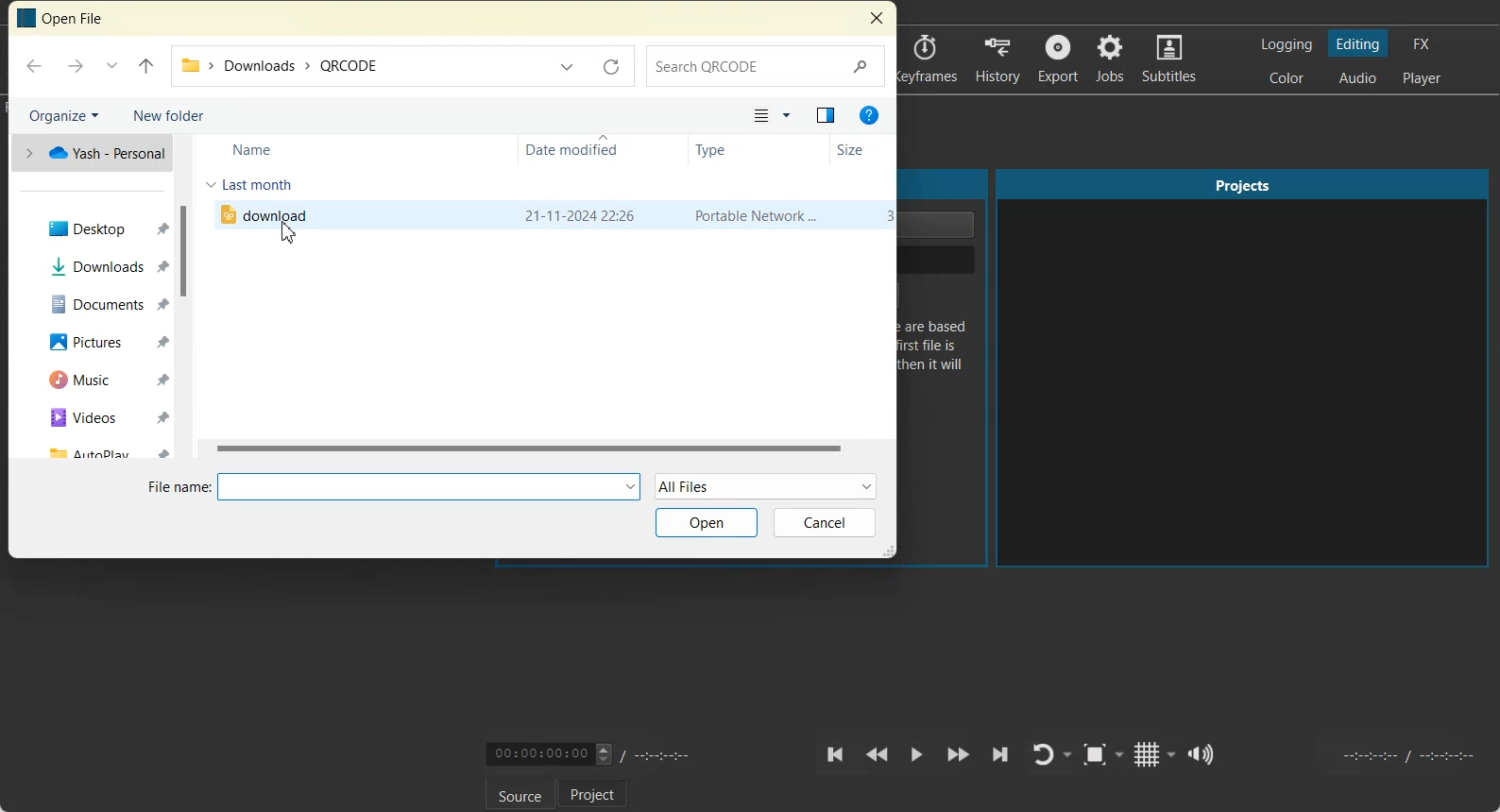 The image size is (1500, 812). What do you see at coordinates (1359, 43) in the screenshot?
I see `Switch to the Editing layout` at bounding box center [1359, 43].